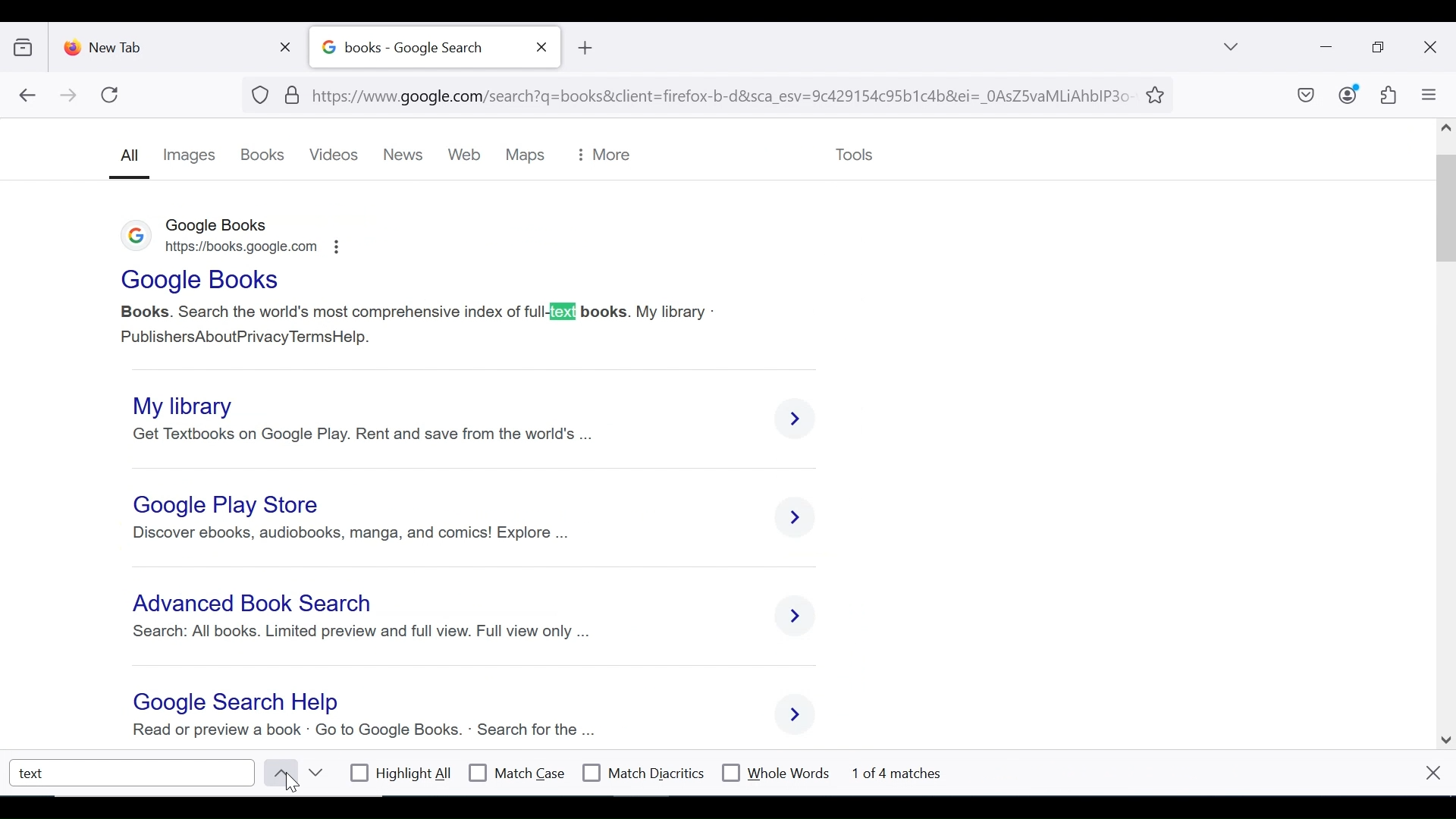 The image size is (1456, 819). Describe the element at coordinates (1232, 46) in the screenshot. I see `list all tabs` at that location.